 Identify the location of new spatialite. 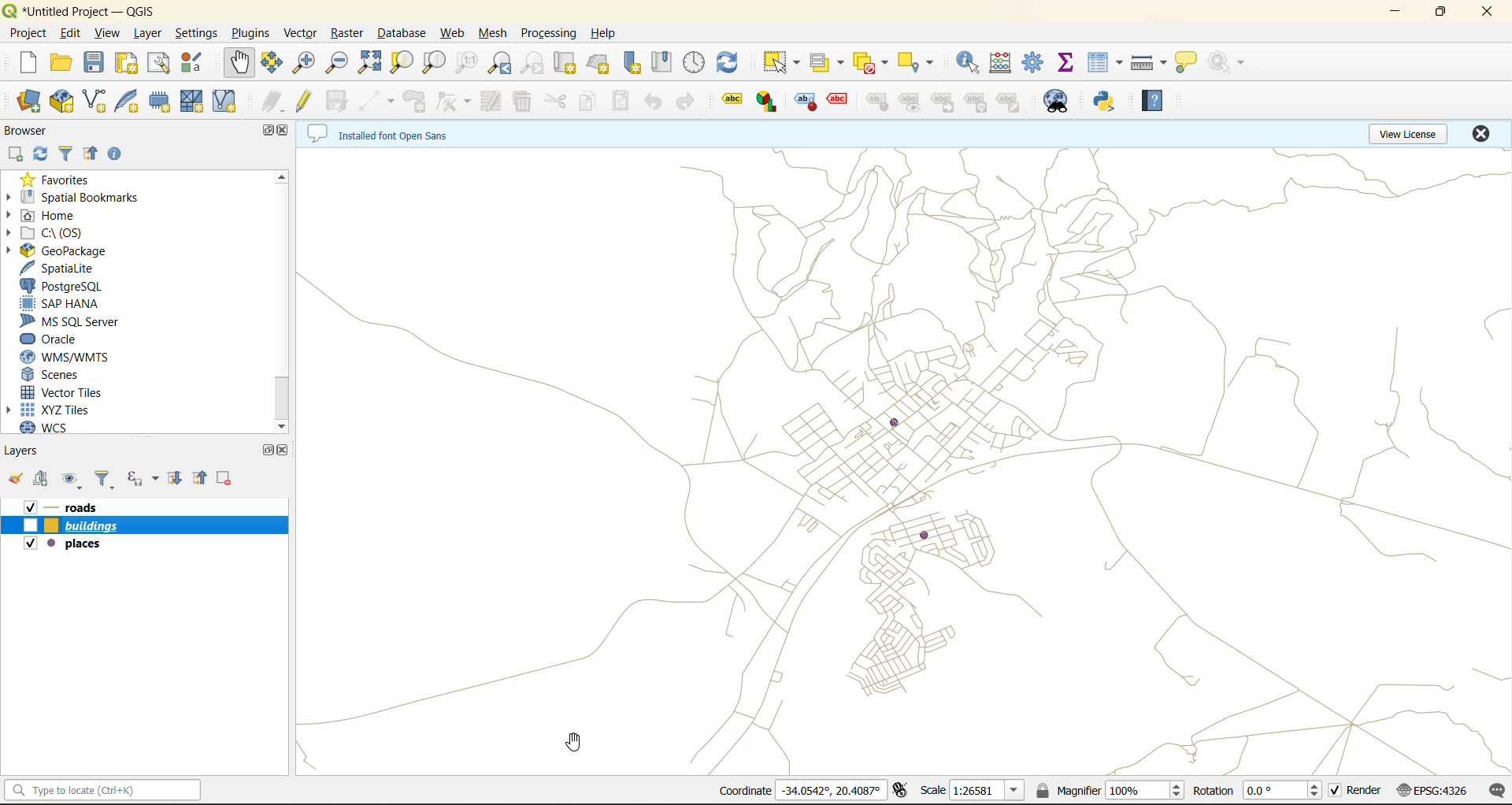
(131, 103).